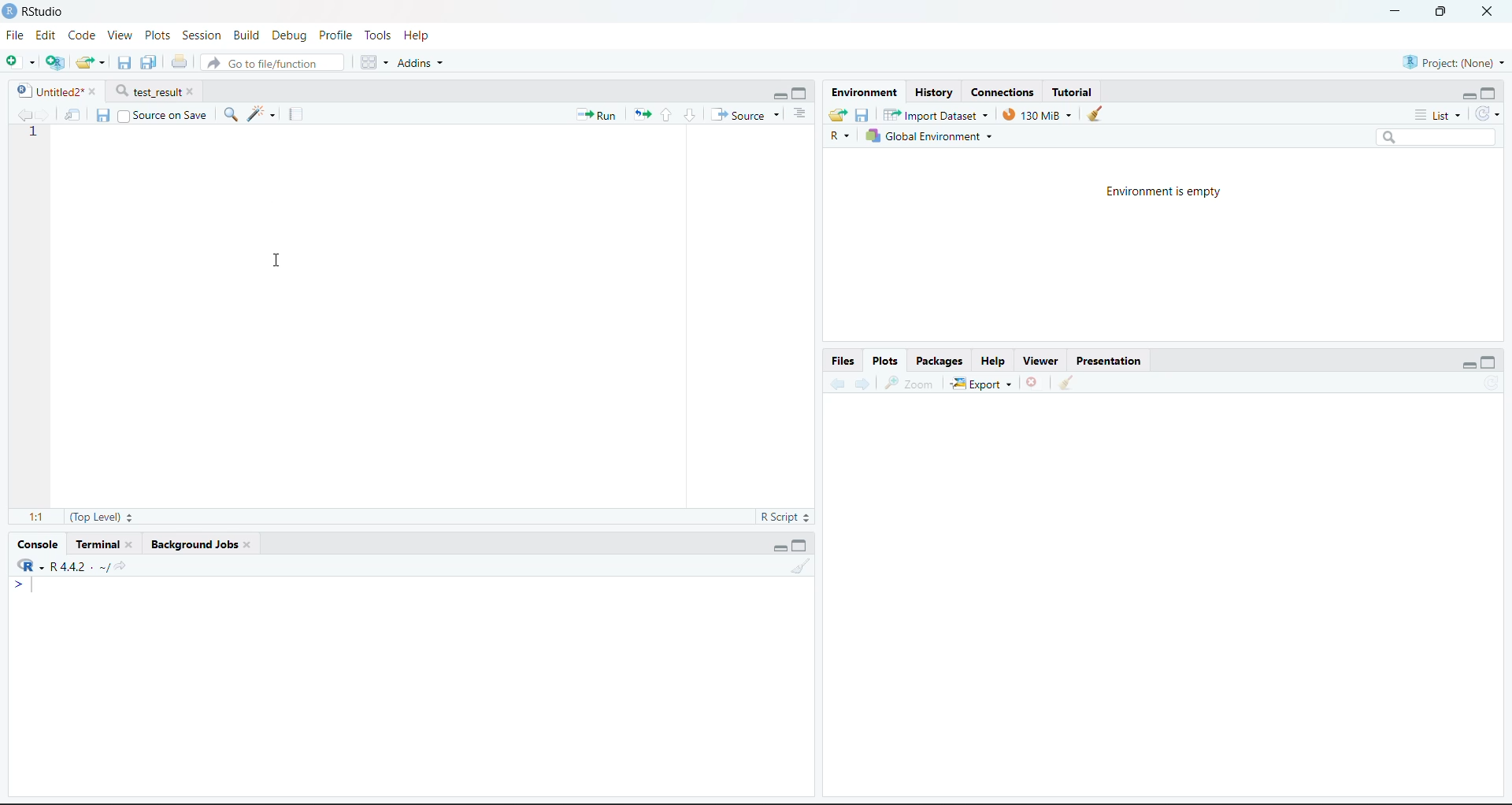 The height and width of the screenshot is (805, 1512). I want to click on Minimize, so click(1459, 94).